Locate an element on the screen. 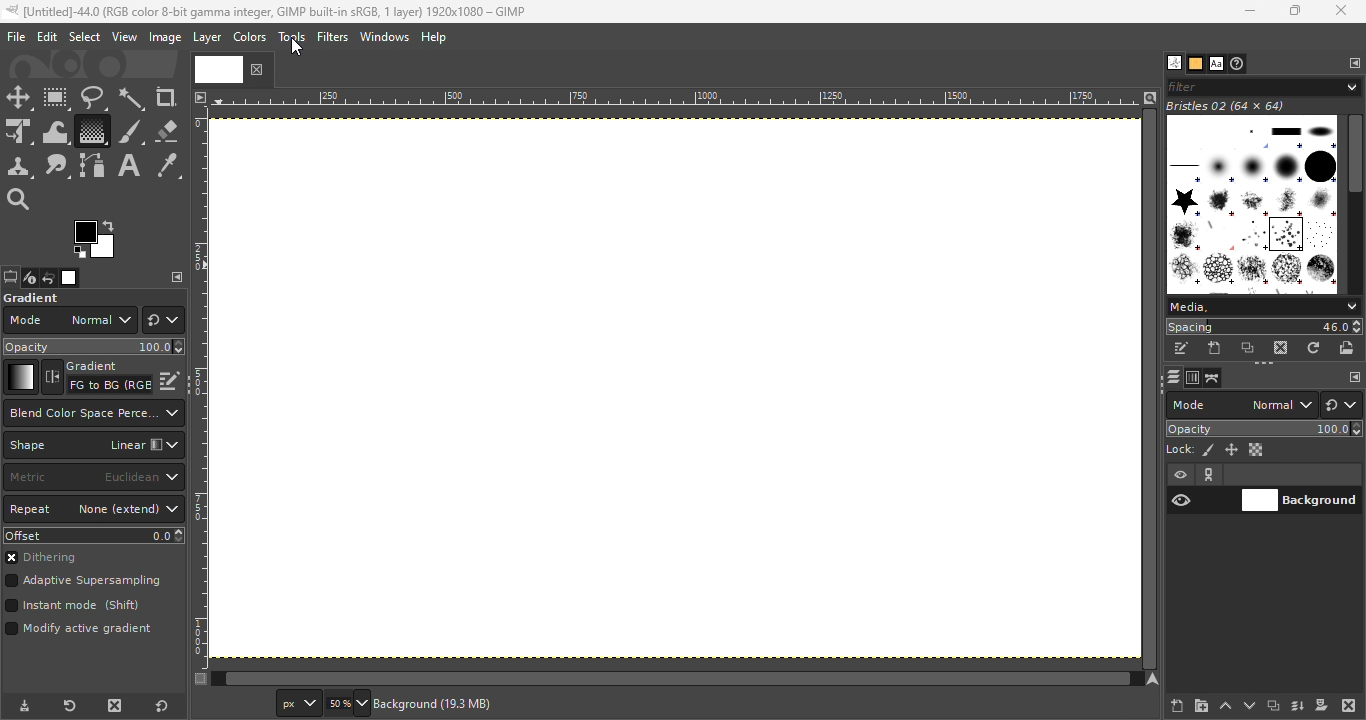  Edit this brush is located at coordinates (1181, 349).